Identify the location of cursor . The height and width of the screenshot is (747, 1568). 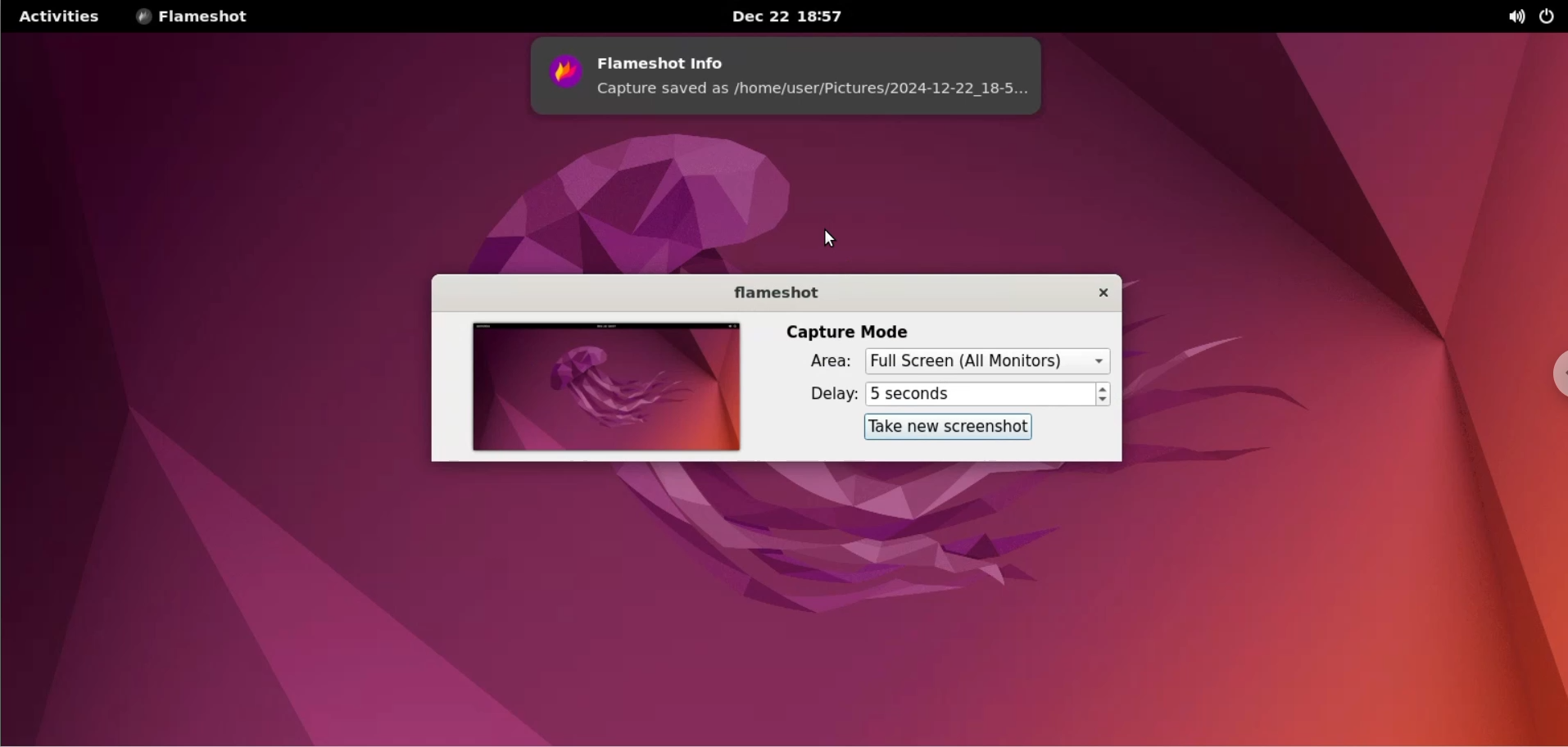
(828, 238).